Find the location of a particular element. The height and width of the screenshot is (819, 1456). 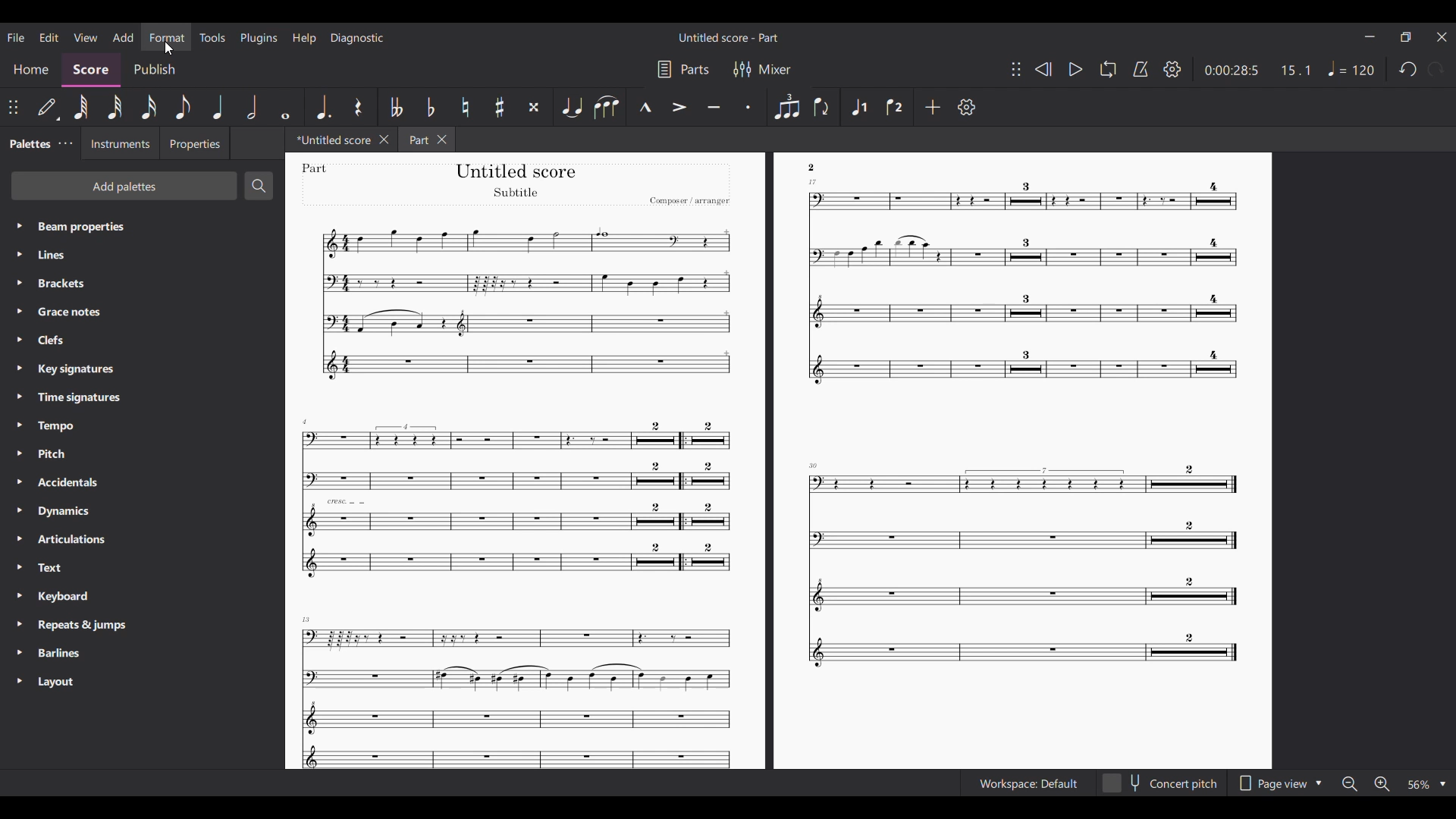

Tempo is located at coordinates (71, 427).